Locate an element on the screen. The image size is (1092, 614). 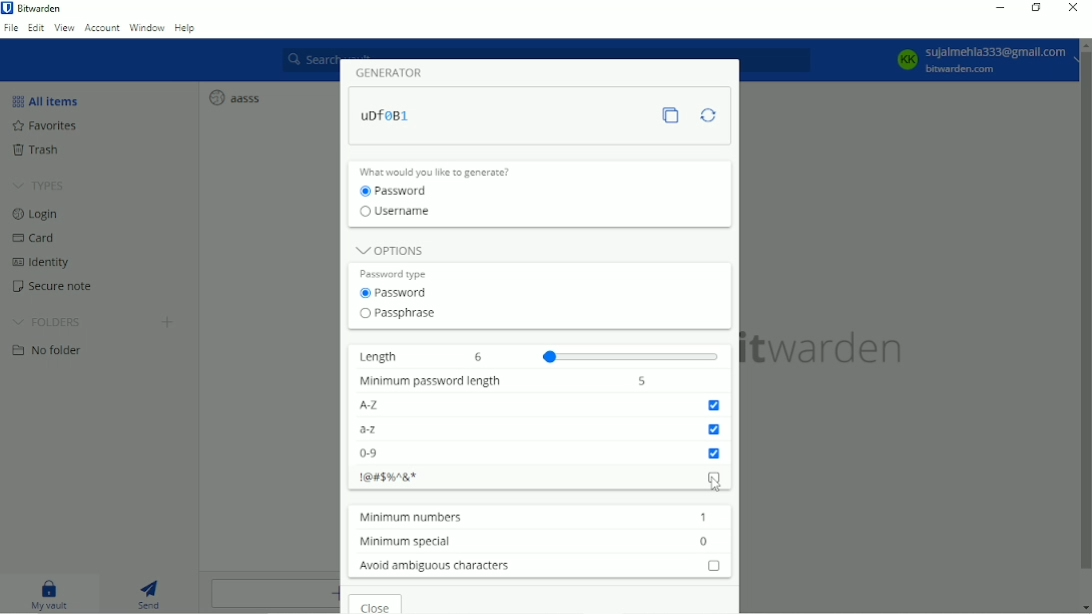
cursor is located at coordinates (716, 486).